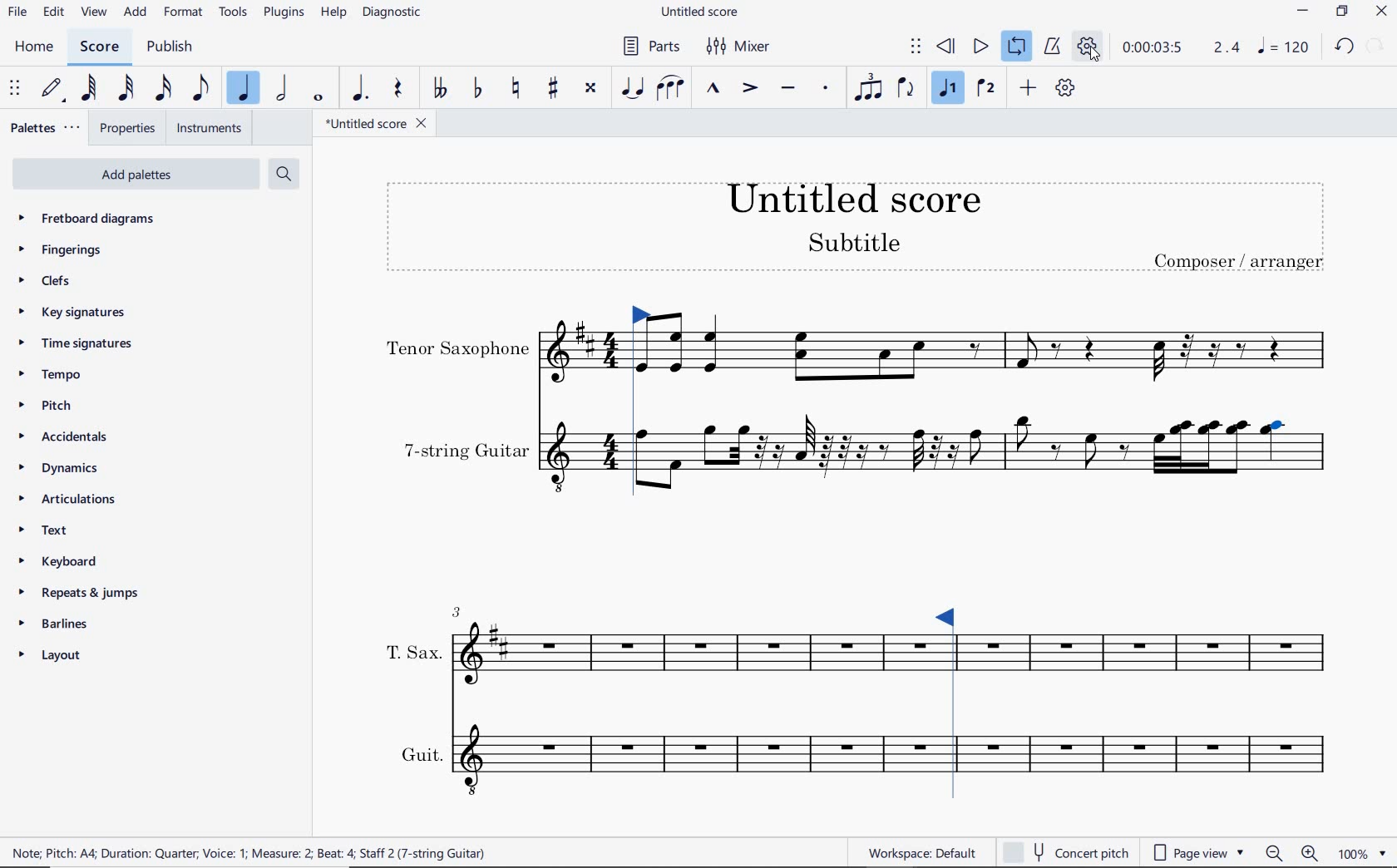 The image size is (1397, 868). What do you see at coordinates (495, 451) in the screenshot?
I see `INSTRUMENT: 7-STRING GUITAR` at bounding box center [495, 451].